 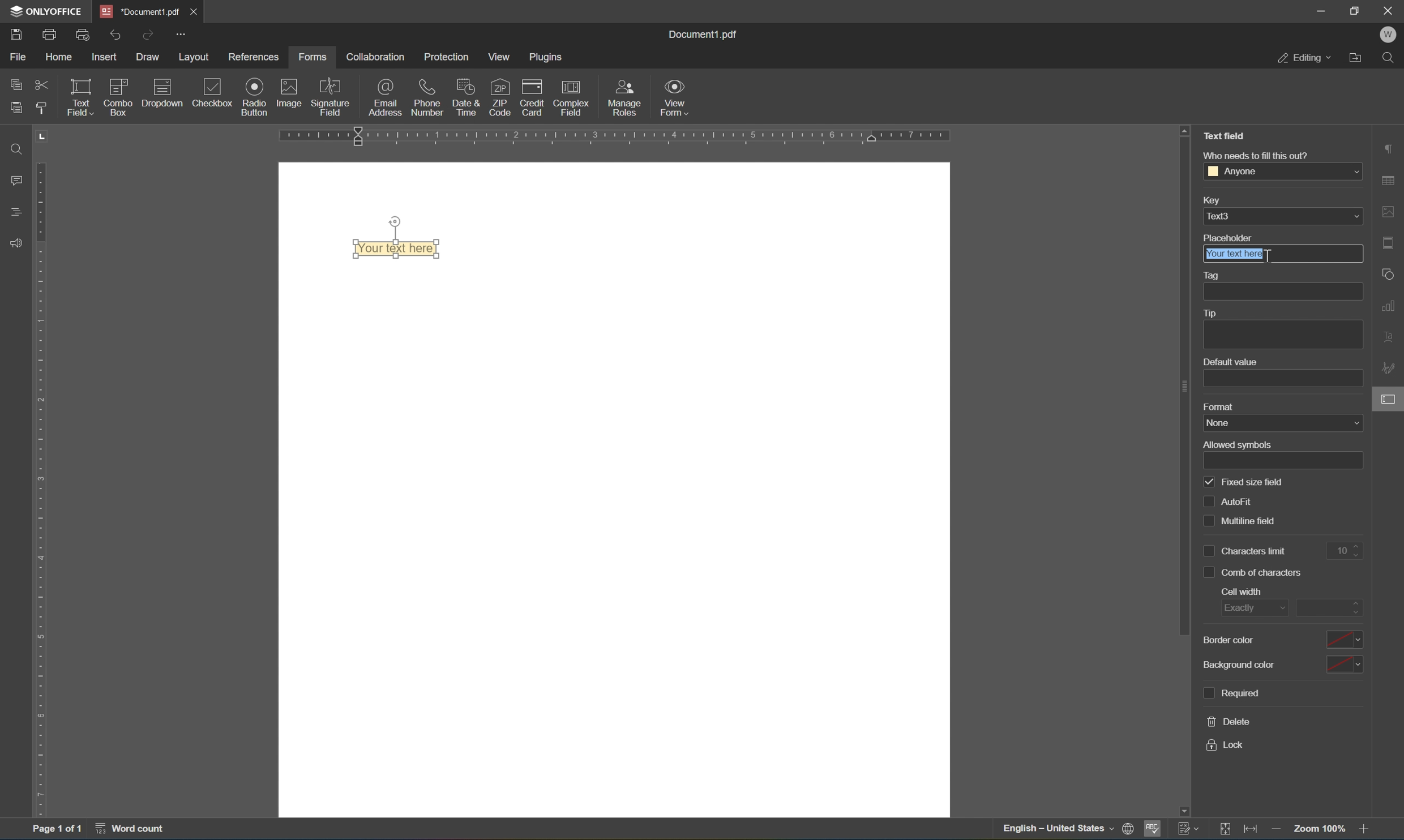 What do you see at coordinates (1221, 275) in the screenshot?
I see `tag` at bounding box center [1221, 275].